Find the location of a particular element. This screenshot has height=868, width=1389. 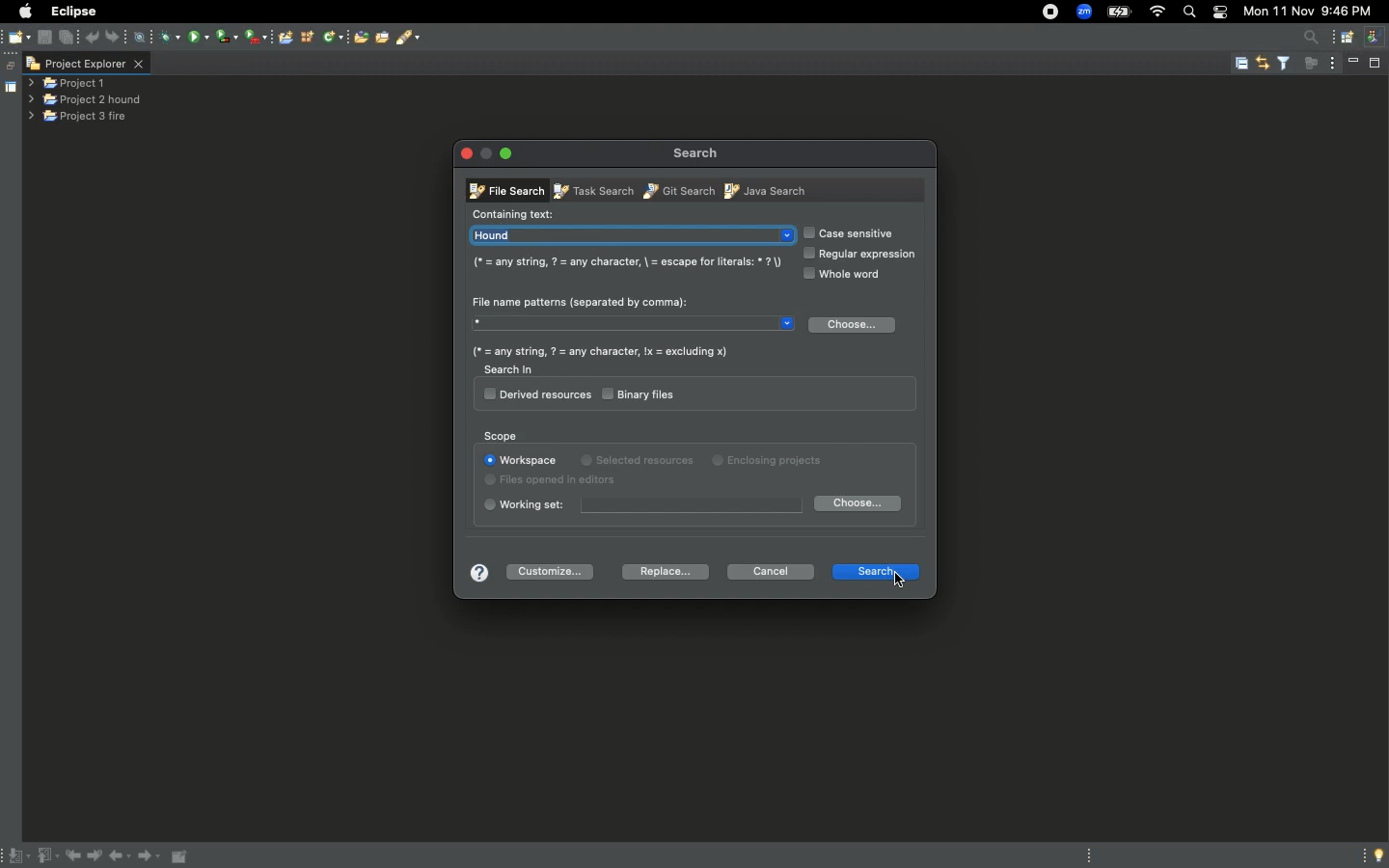

open tasks is located at coordinates (384, 36).